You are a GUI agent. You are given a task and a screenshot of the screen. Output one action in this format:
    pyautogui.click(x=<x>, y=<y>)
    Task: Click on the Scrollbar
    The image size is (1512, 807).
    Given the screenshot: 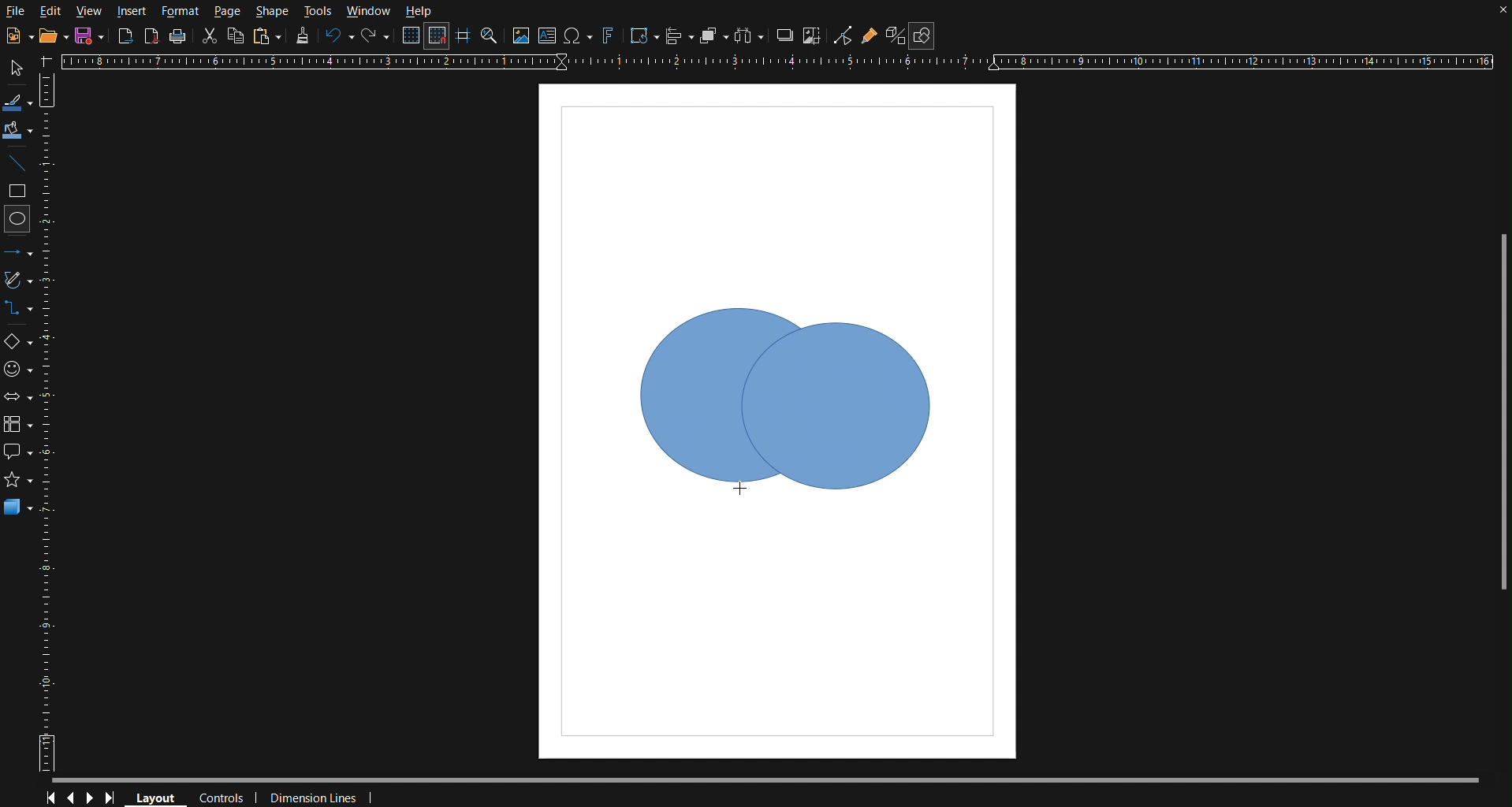 What is the action you would take?
    pyautogui.click(x=778, y=775)
    